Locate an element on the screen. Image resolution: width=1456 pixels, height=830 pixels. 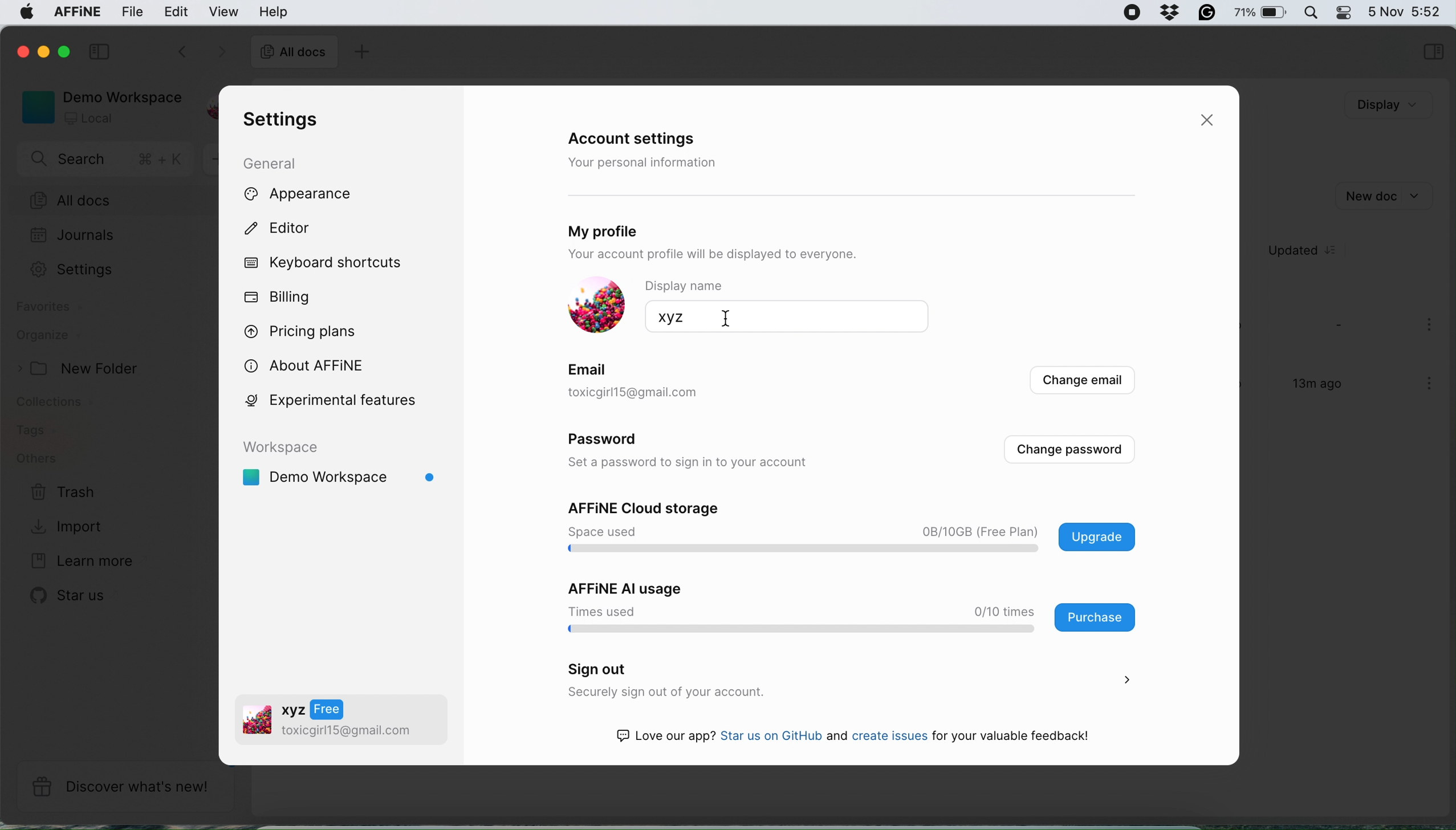
control center is located at coordinates (1343, 13).